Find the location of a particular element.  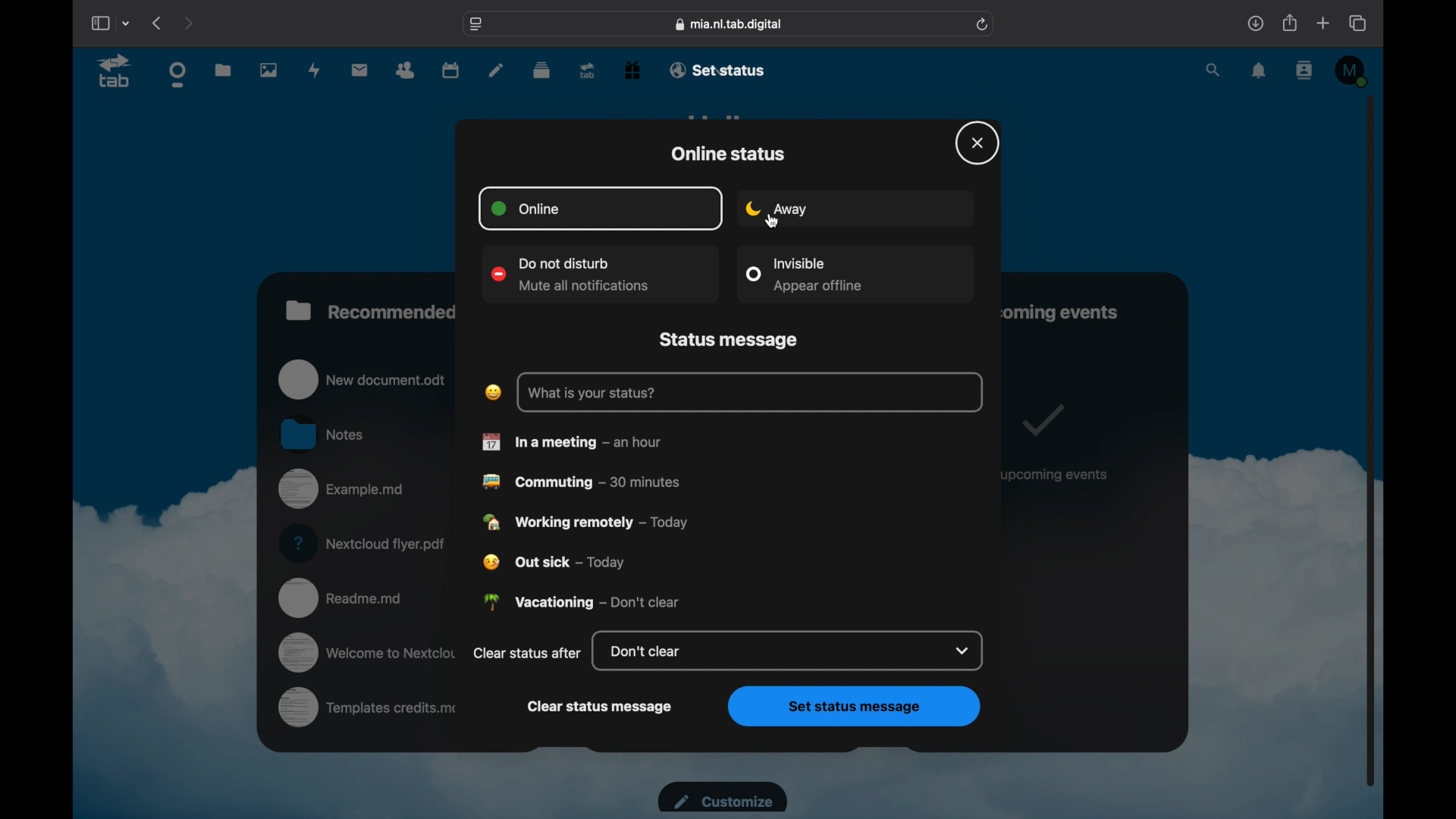

refresh is located at coordinates (984, 25).